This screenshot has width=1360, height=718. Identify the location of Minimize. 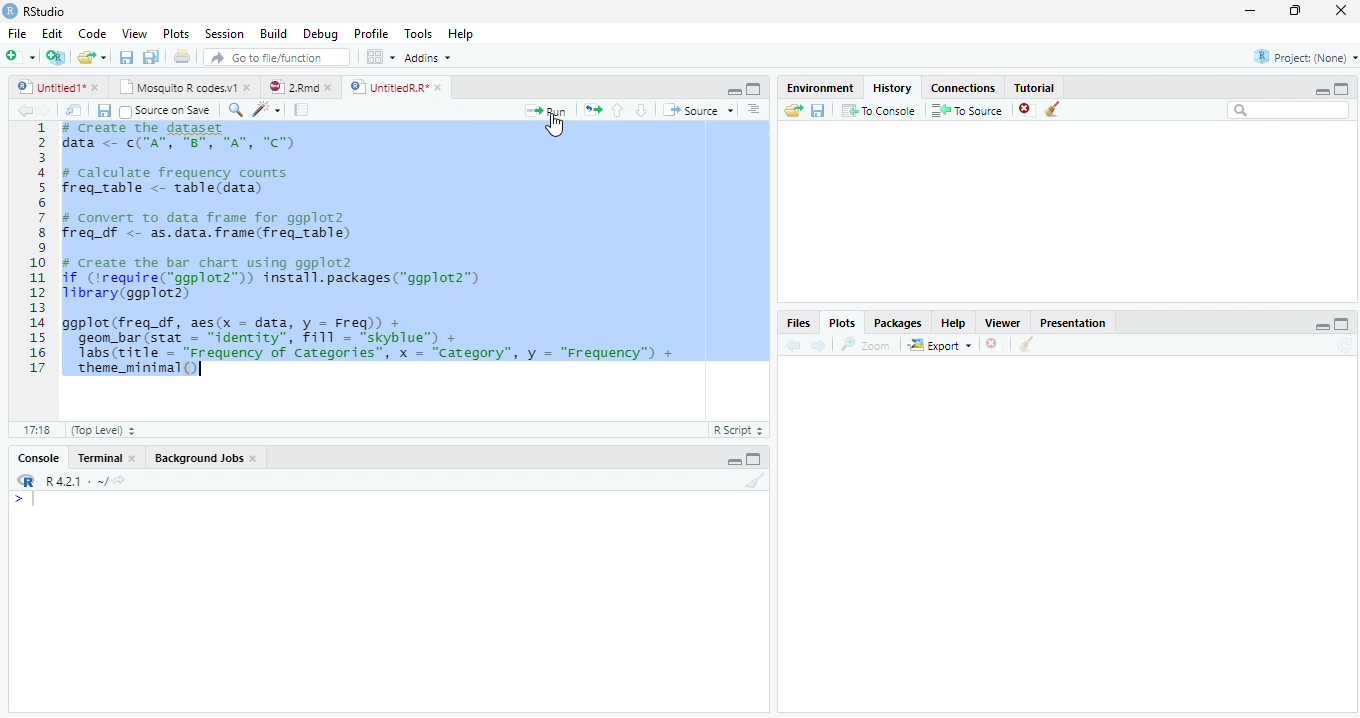
(1323, 328).